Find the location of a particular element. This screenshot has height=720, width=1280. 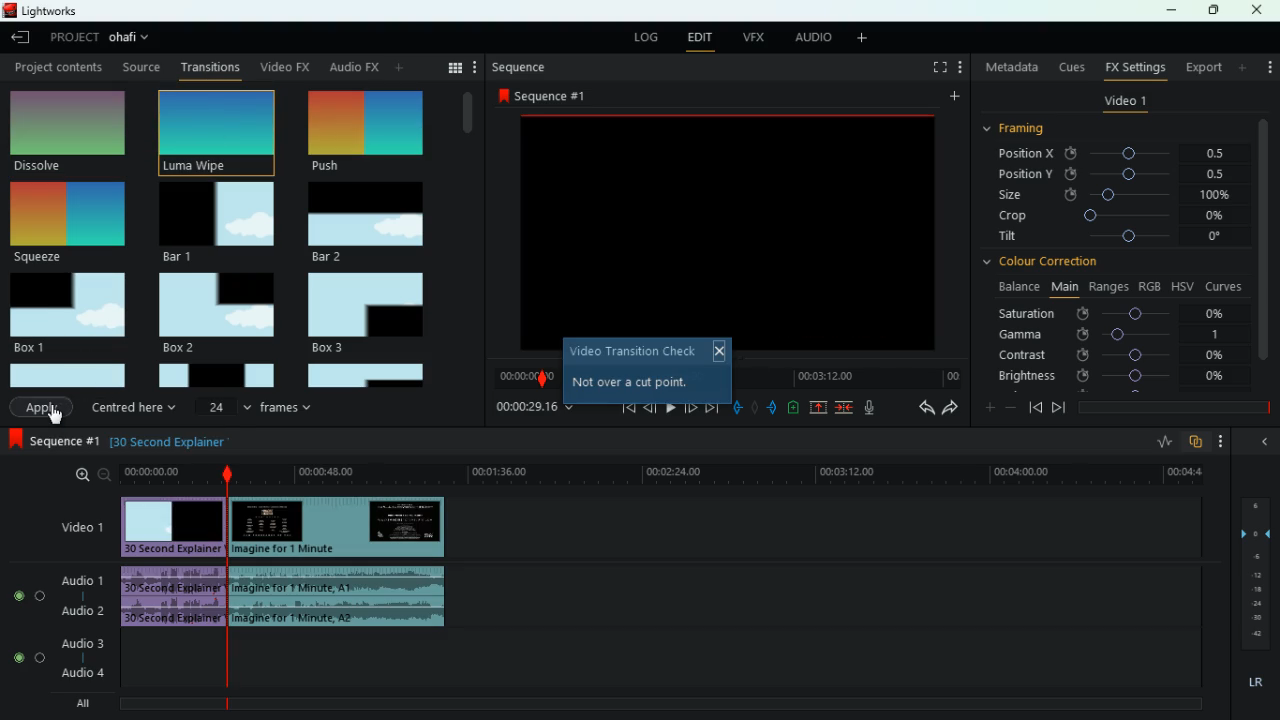

zoom is located at coordinates (90, 475).